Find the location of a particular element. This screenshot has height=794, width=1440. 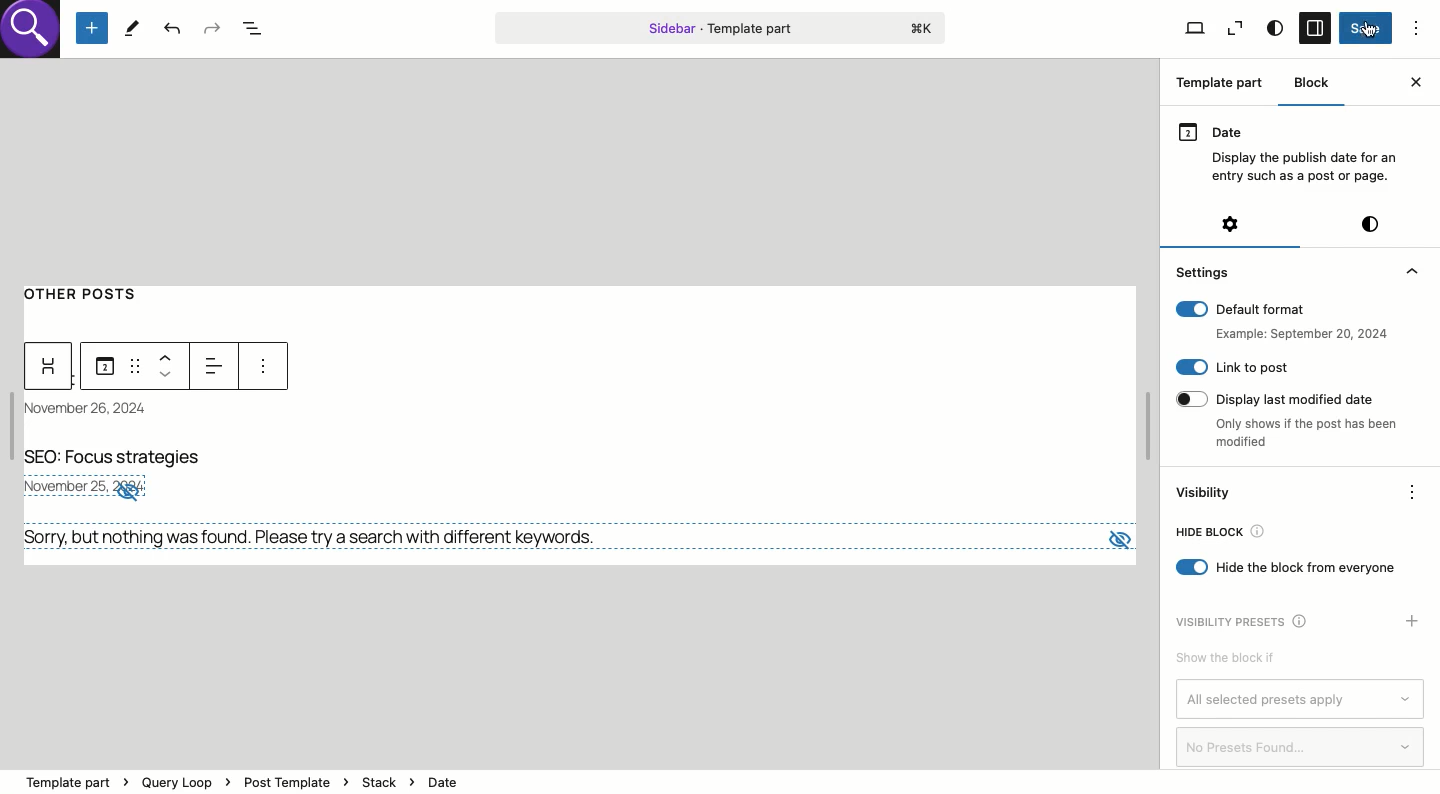

Add is located at coordinates (1413, 621).